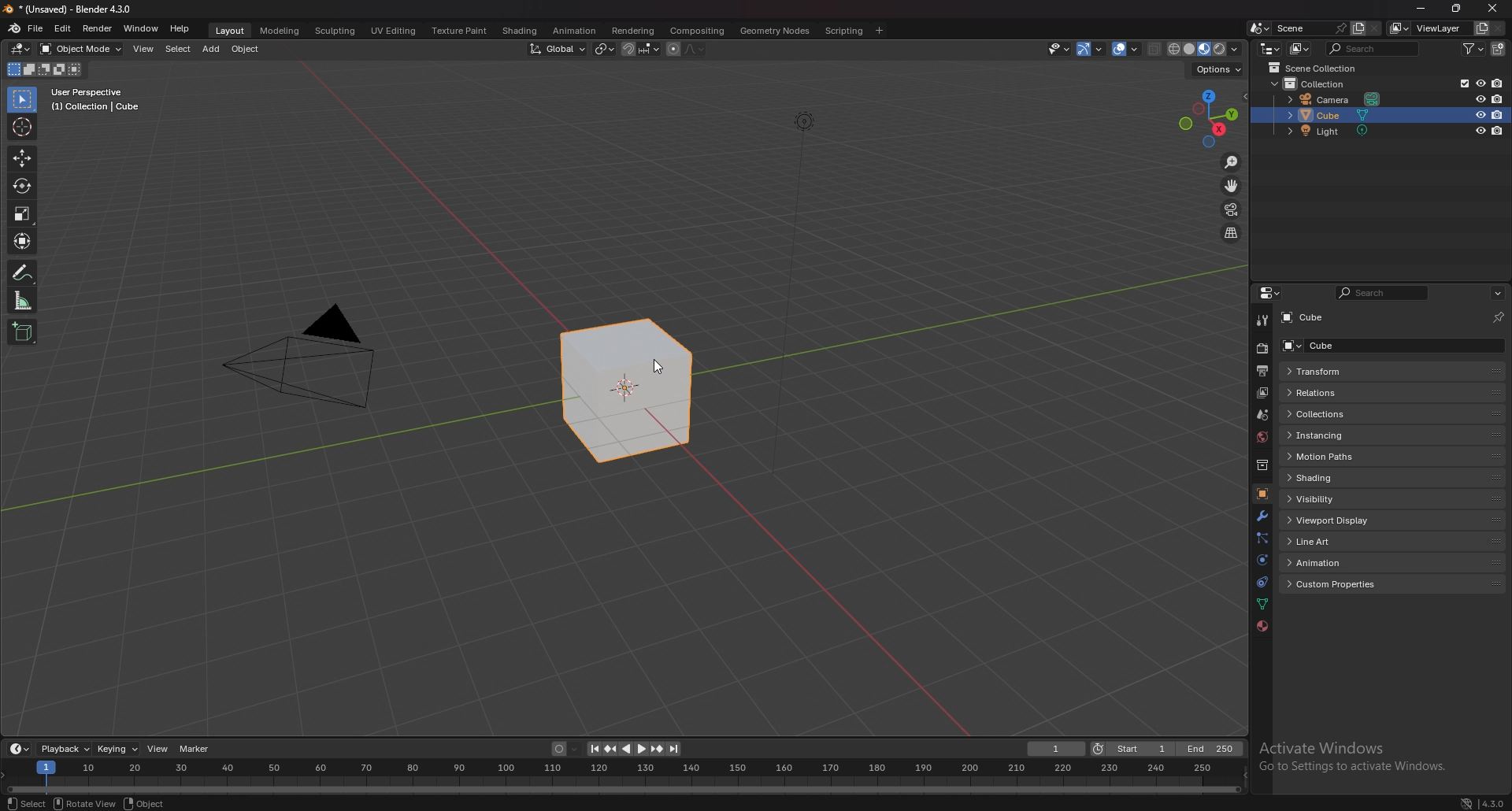 The image size is (1512, 811). What do you see at coordinates (1462, 83) in the screenshot?
I see `exclude from view layer` at bounding box center [1462, 83].